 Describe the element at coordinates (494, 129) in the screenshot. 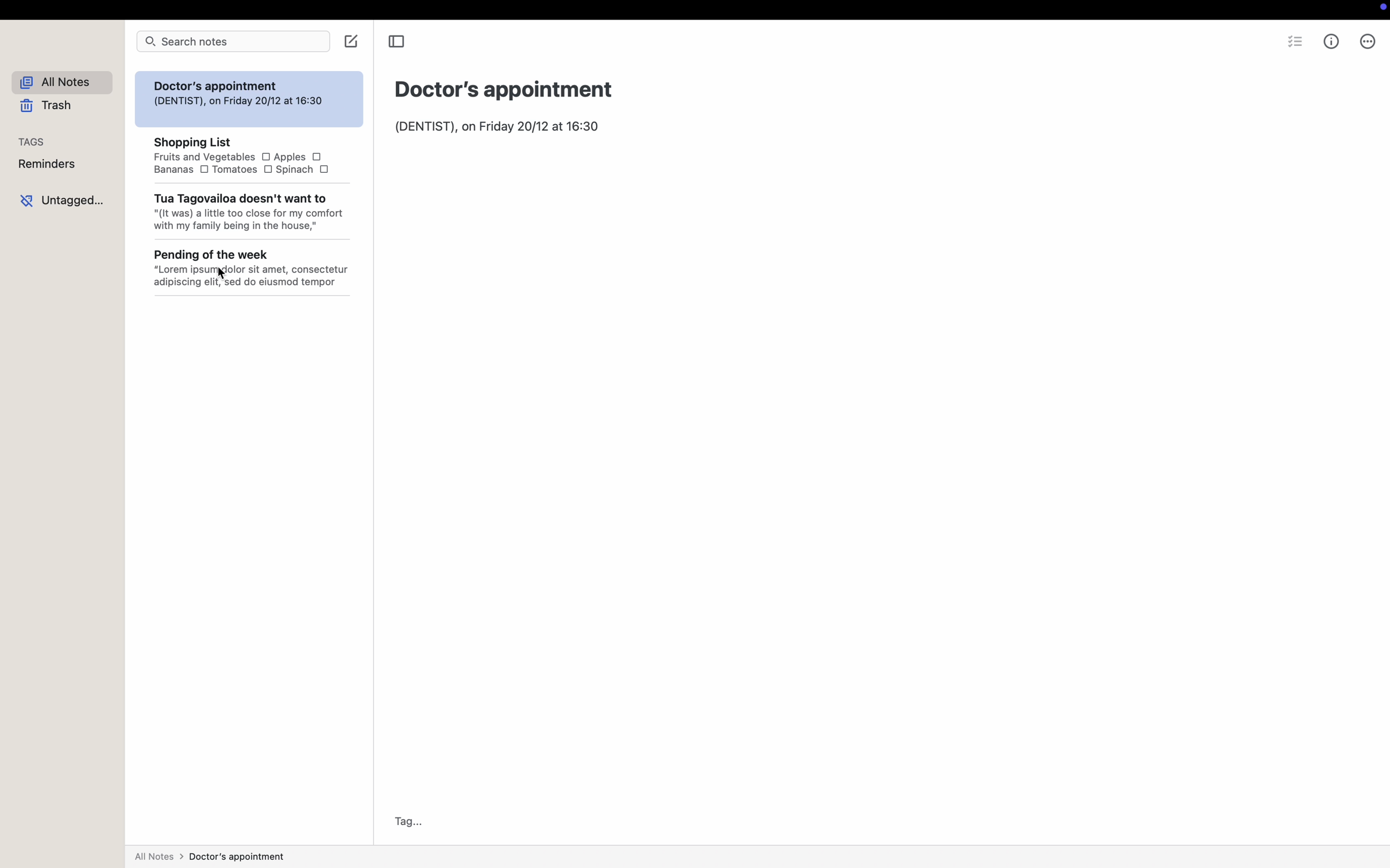

I see `body text: (DENTIST), on Friday 20/12 at 16:30` at that location.